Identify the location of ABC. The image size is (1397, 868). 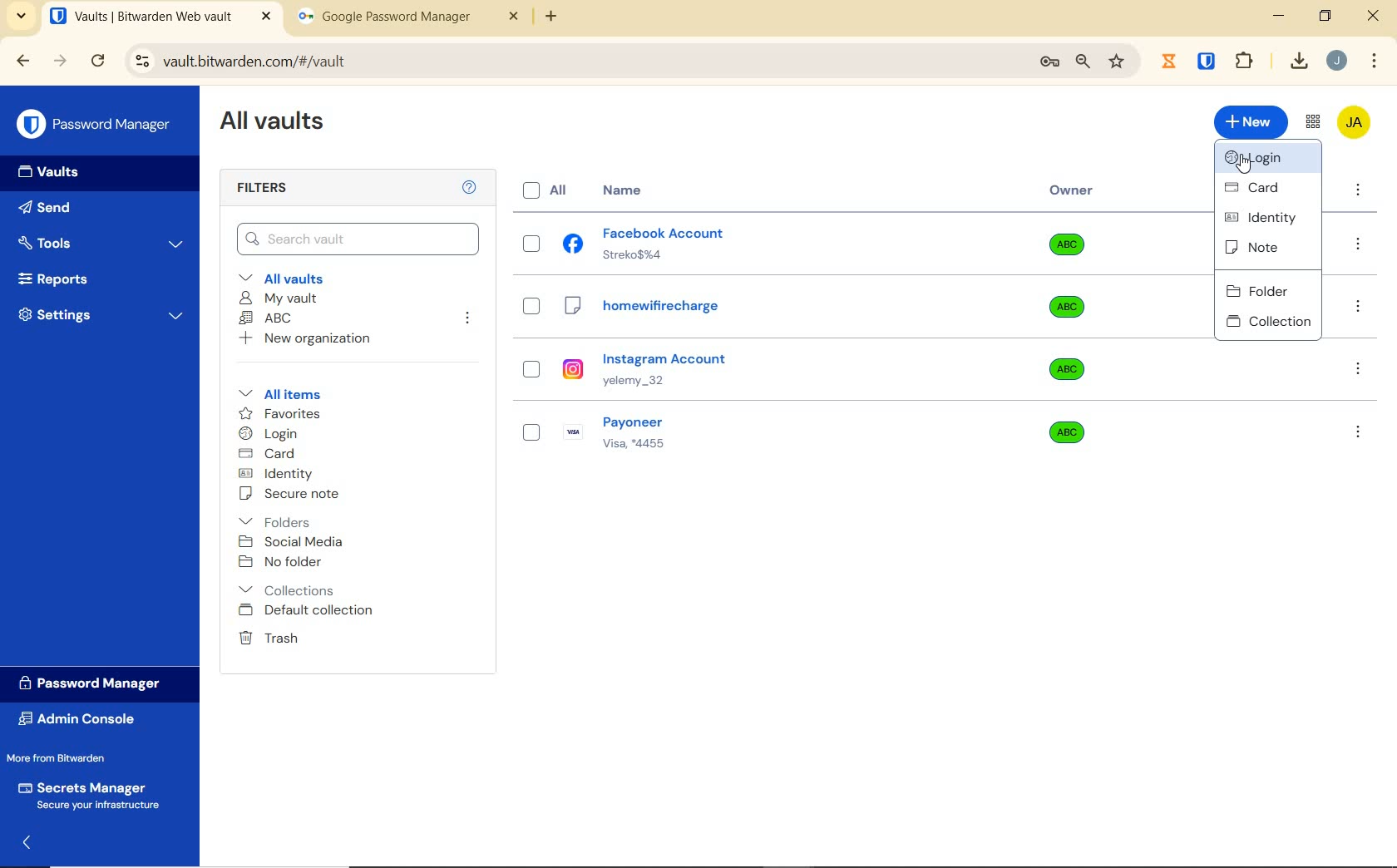
(265, 318).